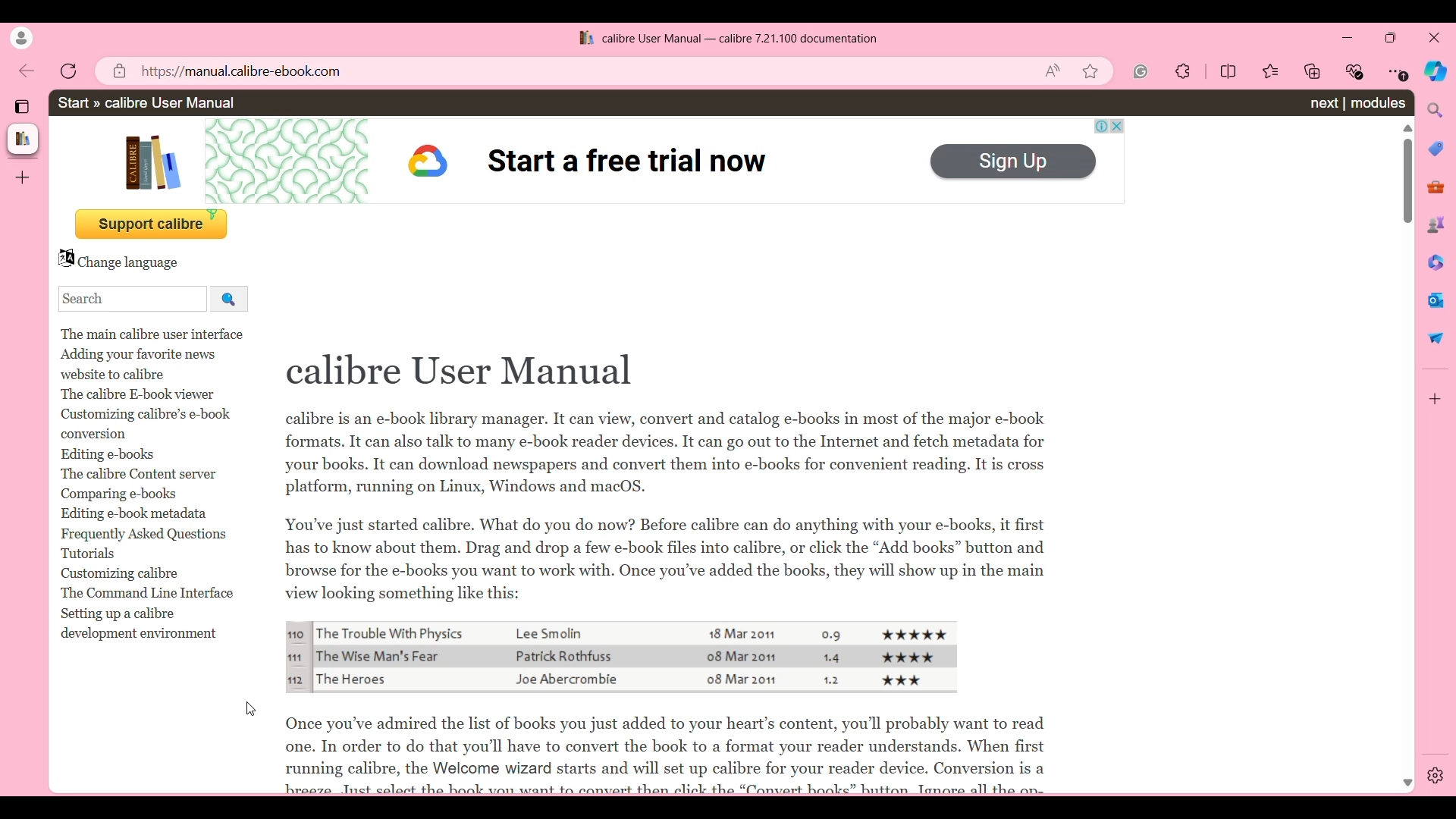 This screenshot has width=1456, height=819. What do you see at coordinates (1436, 109) in the screenshot?
I see `Search` at bounding box center [1436, 109].